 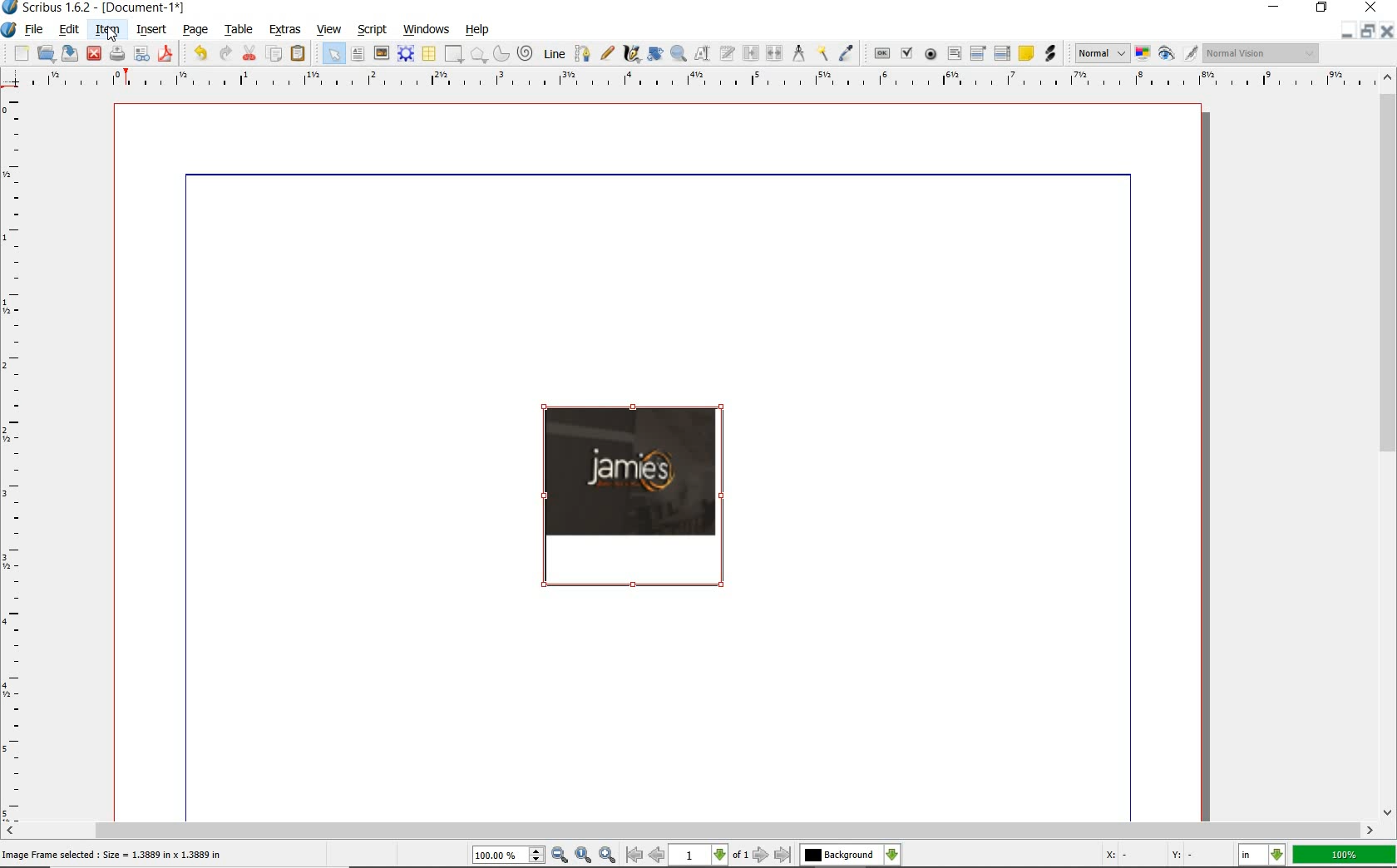 What do you see at coordinates (476, 30) in the screenshot?
I see `help` at bounding box center [476, 30].